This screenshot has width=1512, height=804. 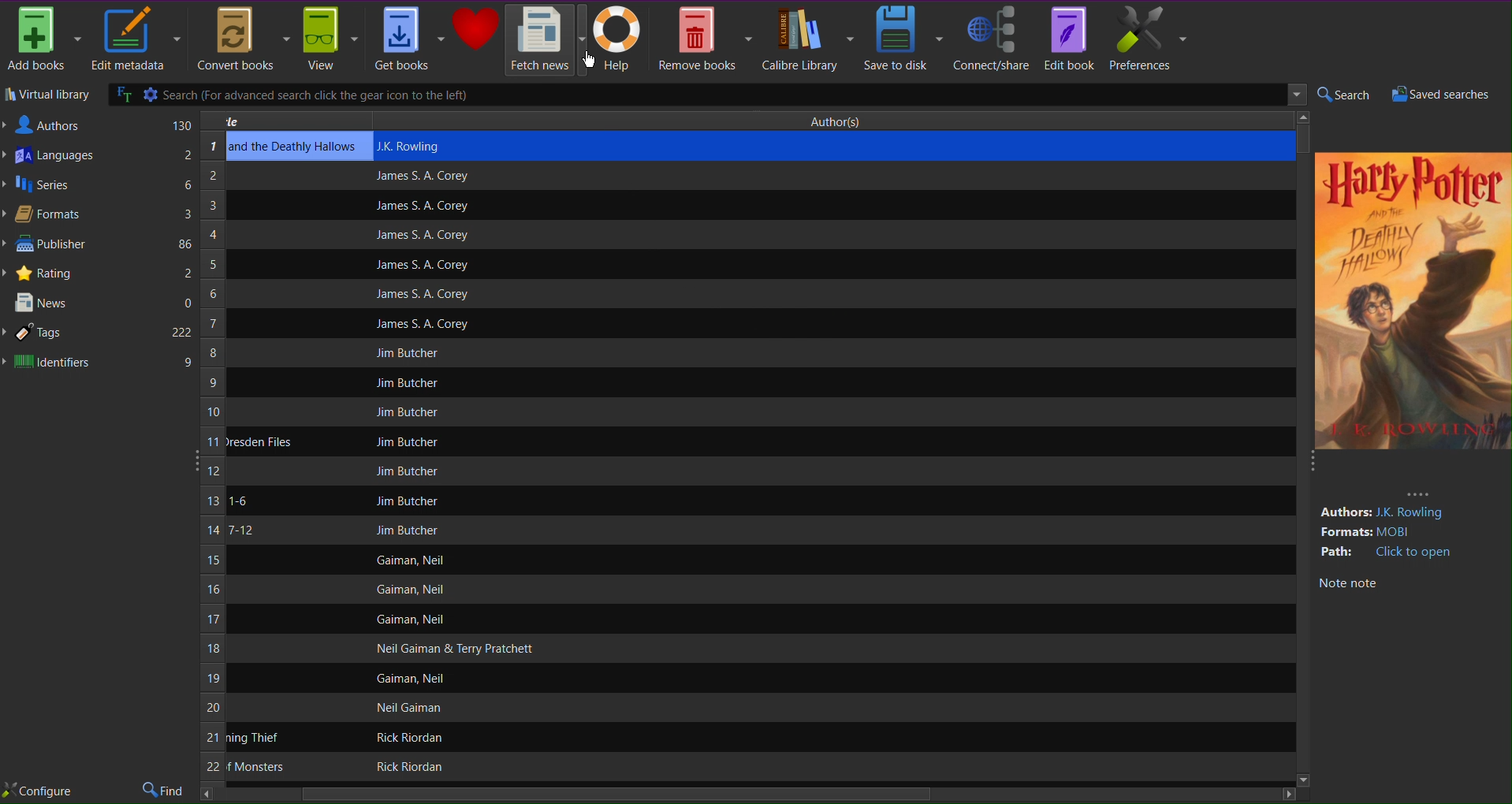 I want to click on Virtual Library, so click(x=47, y=96).